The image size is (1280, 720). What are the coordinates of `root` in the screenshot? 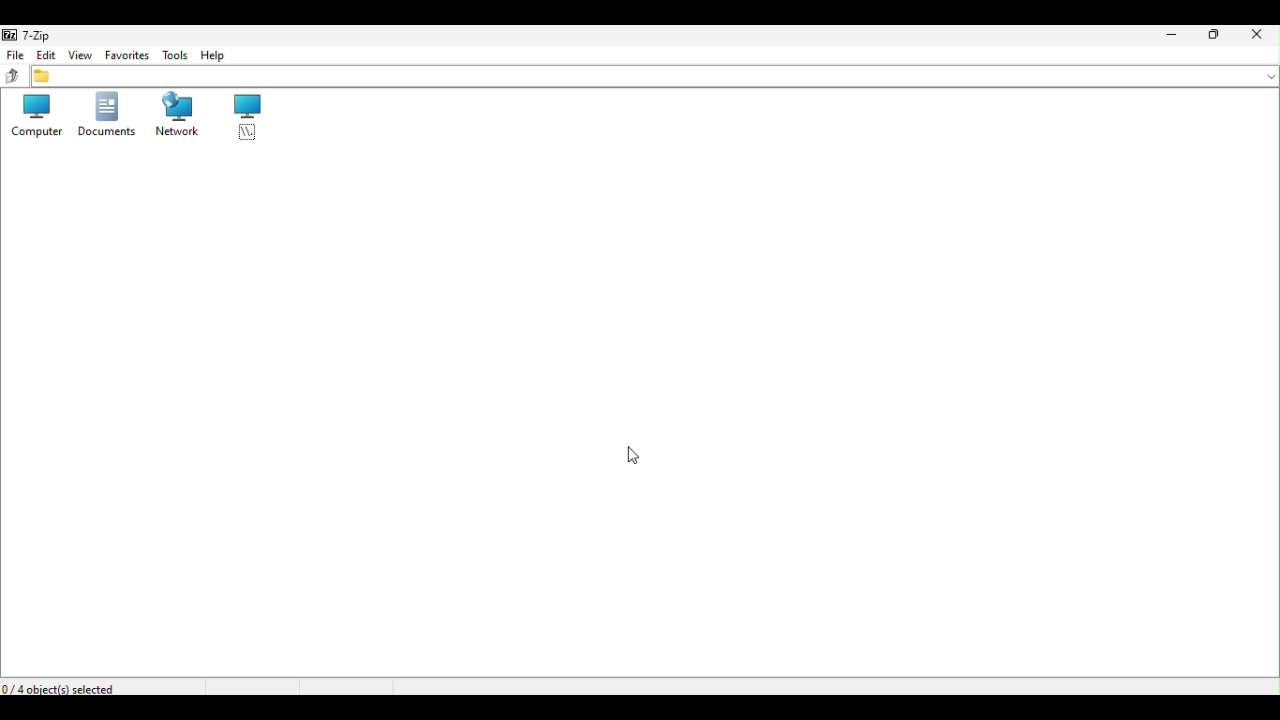 It's located at (256, 120).